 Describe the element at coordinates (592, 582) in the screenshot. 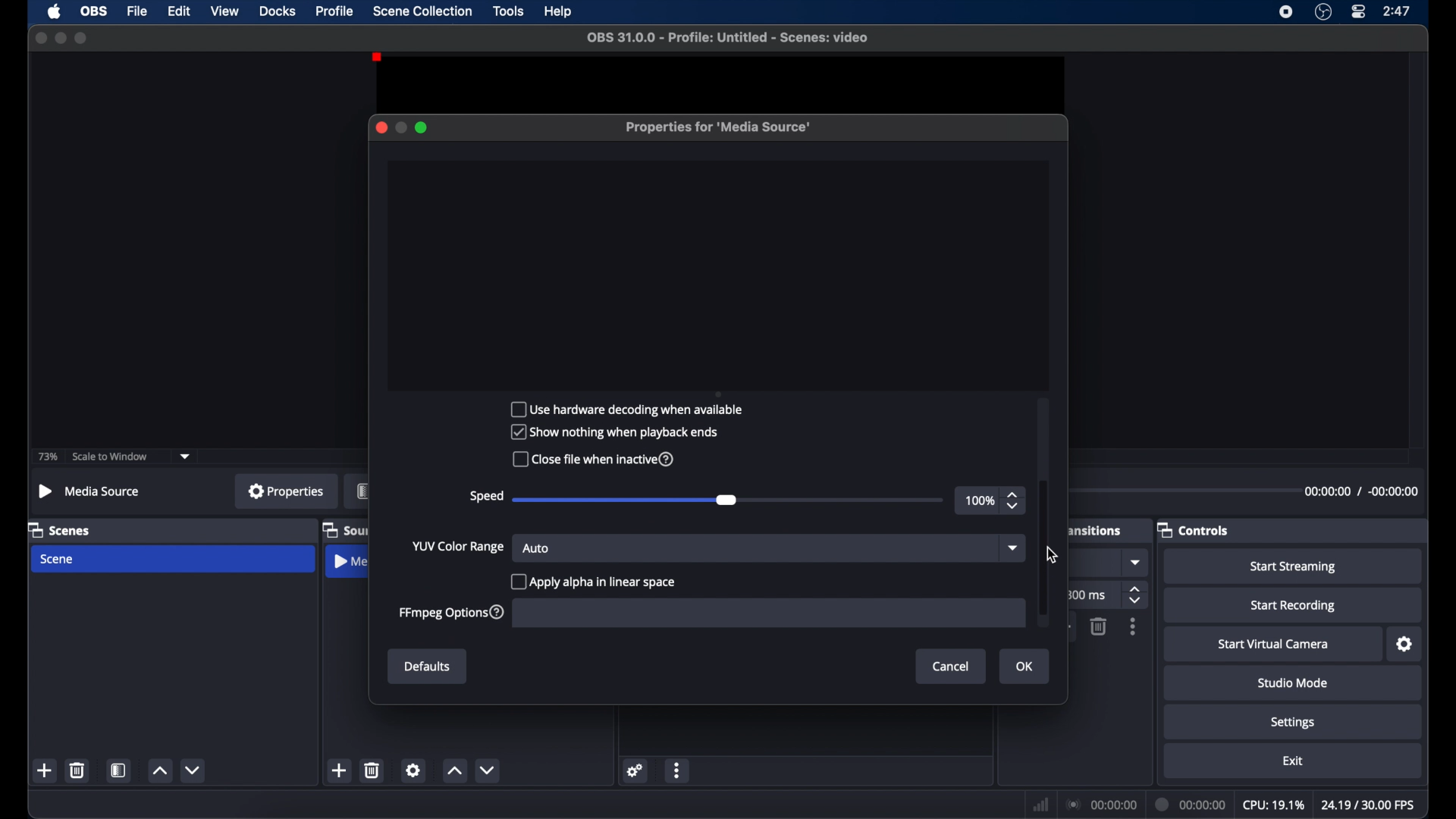

I see `checkbox` at that location.